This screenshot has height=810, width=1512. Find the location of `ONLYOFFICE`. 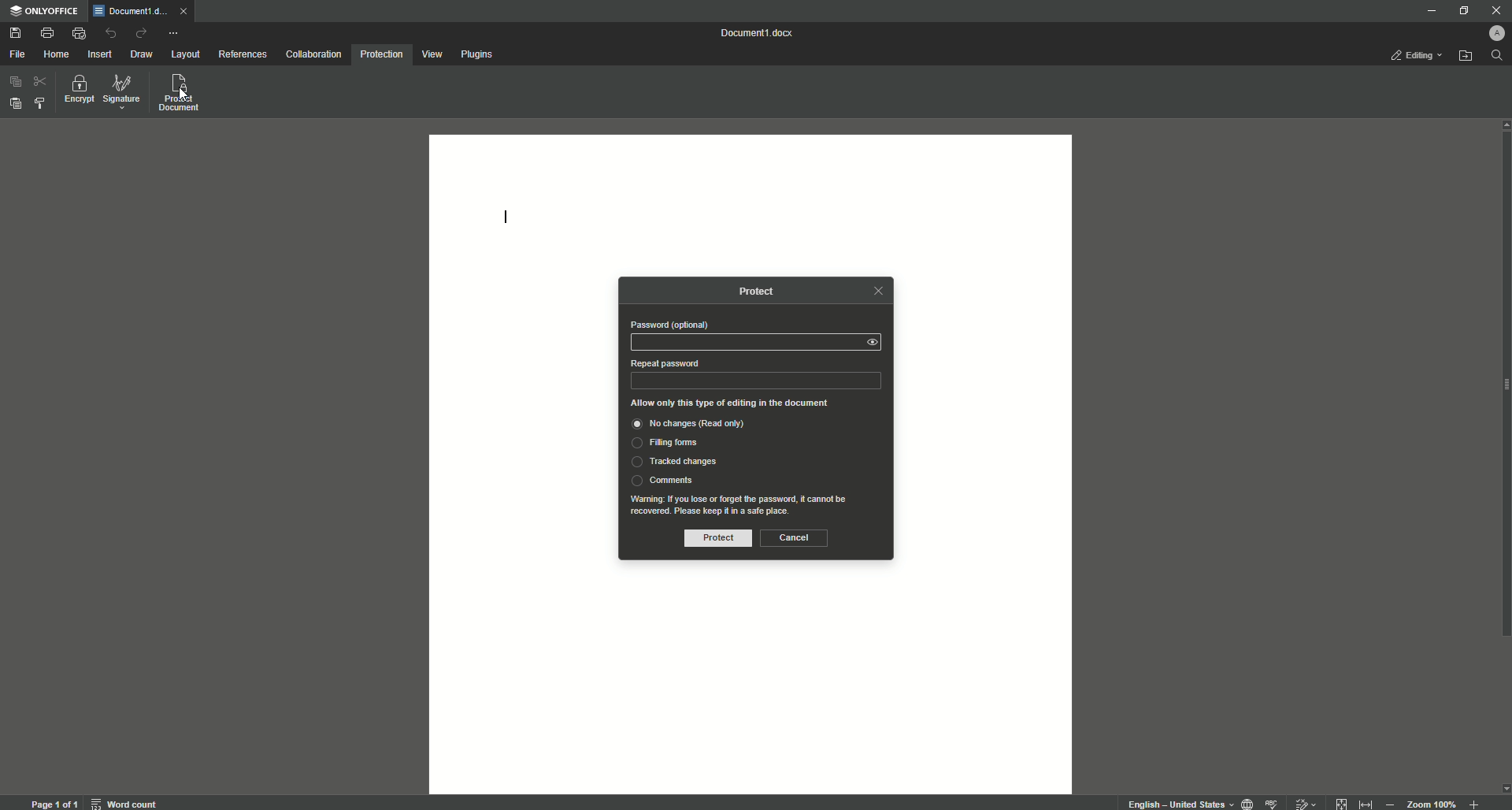

ONLYOFFICE is located at coordinates (46, 13).